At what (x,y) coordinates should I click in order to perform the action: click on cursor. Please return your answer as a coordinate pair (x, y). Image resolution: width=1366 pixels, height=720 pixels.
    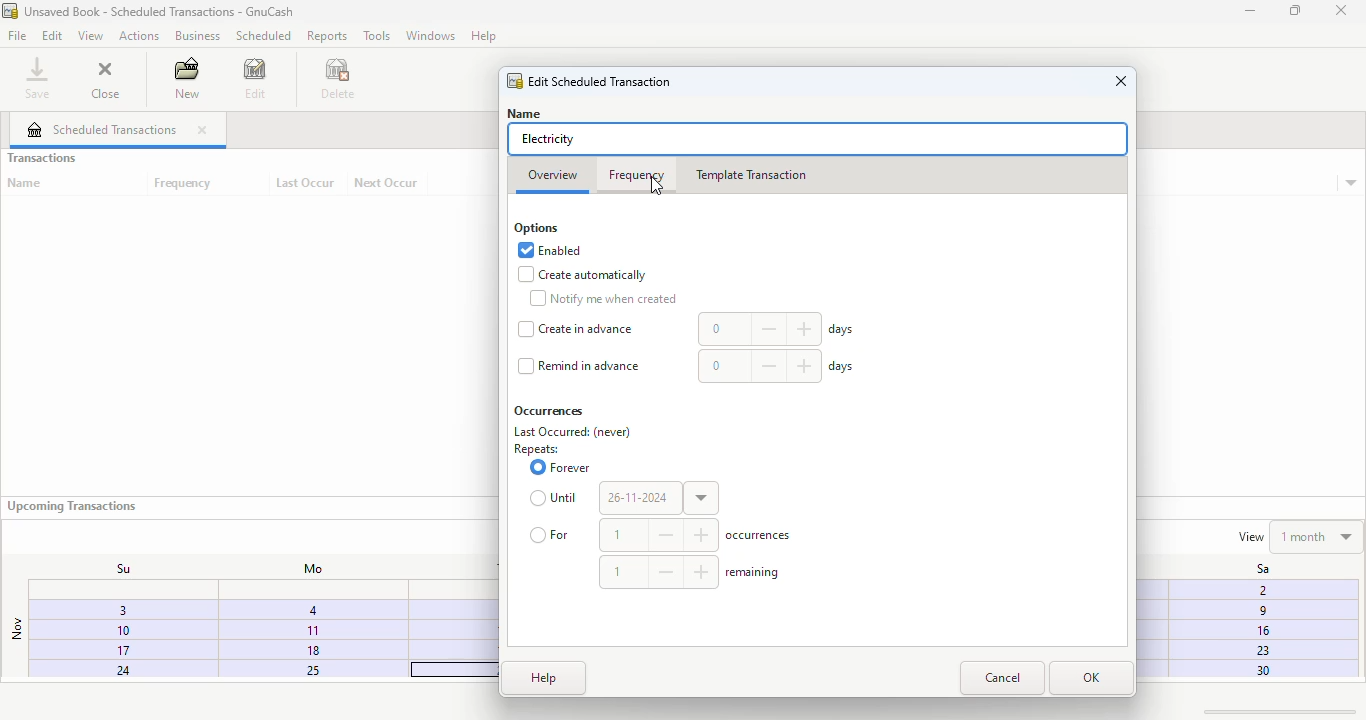
    Looking at the image, I should click on (656, 187).